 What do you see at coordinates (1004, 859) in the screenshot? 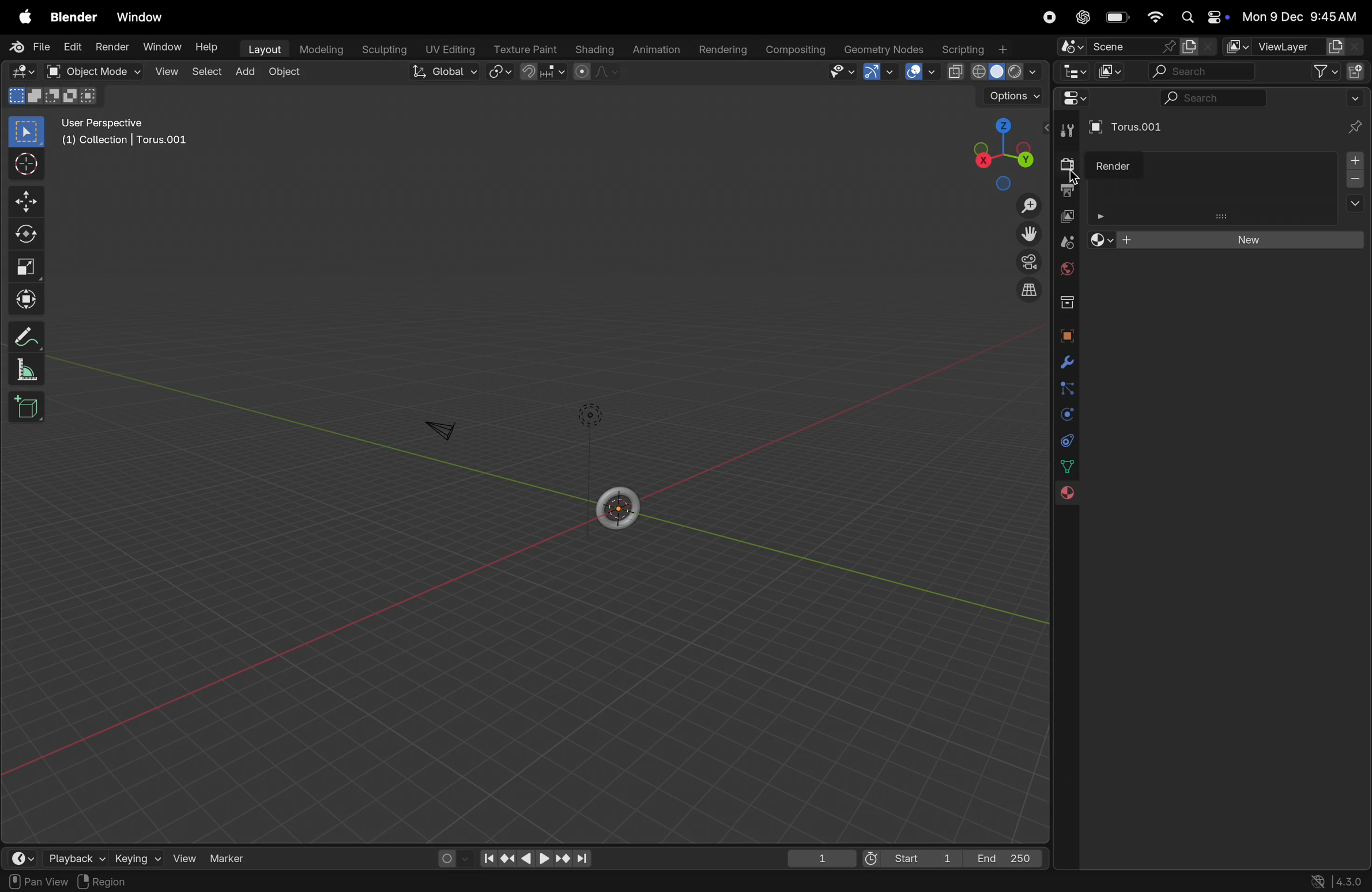
I see `End 250` at bounding box center [1004, 859].